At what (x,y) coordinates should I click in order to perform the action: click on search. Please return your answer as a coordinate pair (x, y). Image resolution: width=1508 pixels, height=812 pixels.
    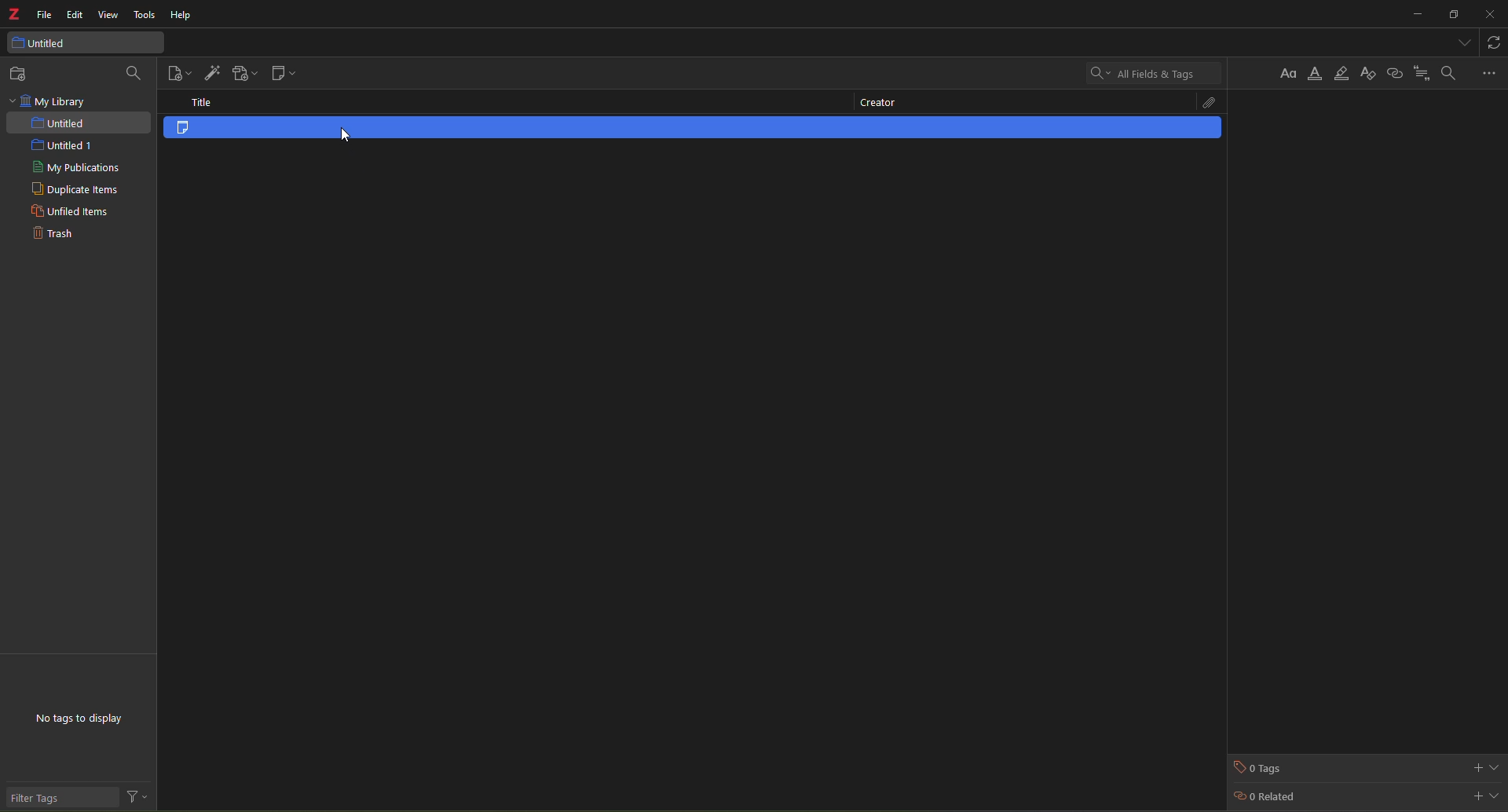
    Looking at the image, I should click on (1151, 73).